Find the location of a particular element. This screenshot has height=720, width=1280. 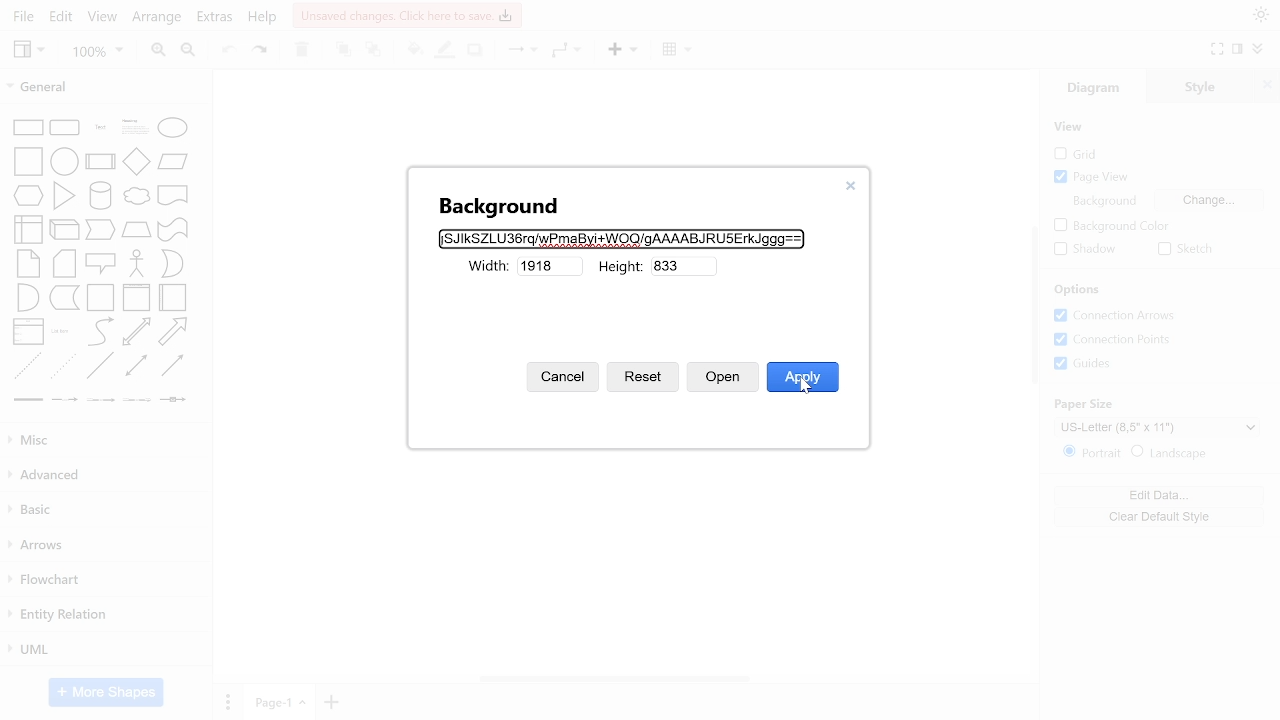

misc is located at coordinates (106, 441).